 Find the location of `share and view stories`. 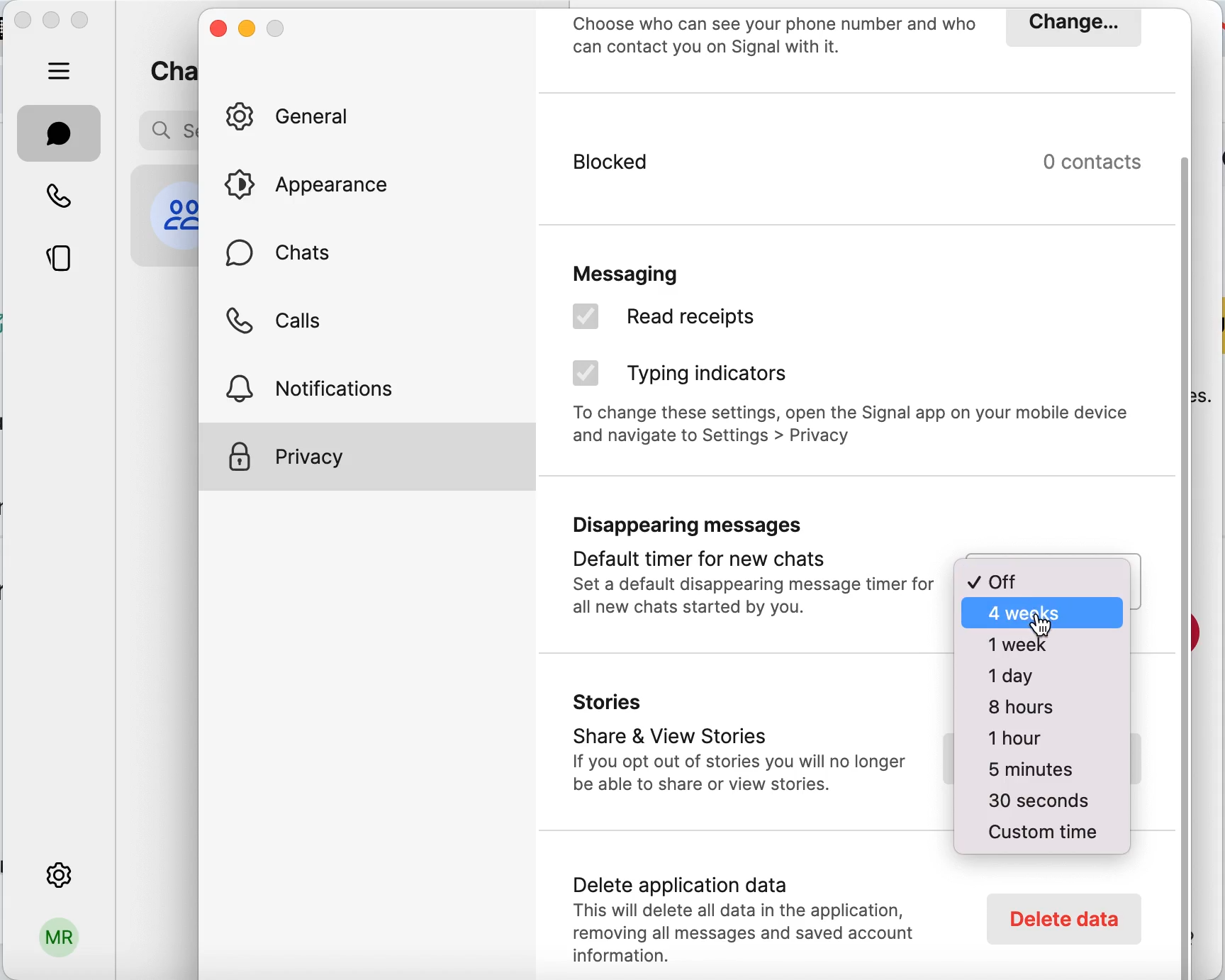

share and view stories is located at coordinates (737, 747).